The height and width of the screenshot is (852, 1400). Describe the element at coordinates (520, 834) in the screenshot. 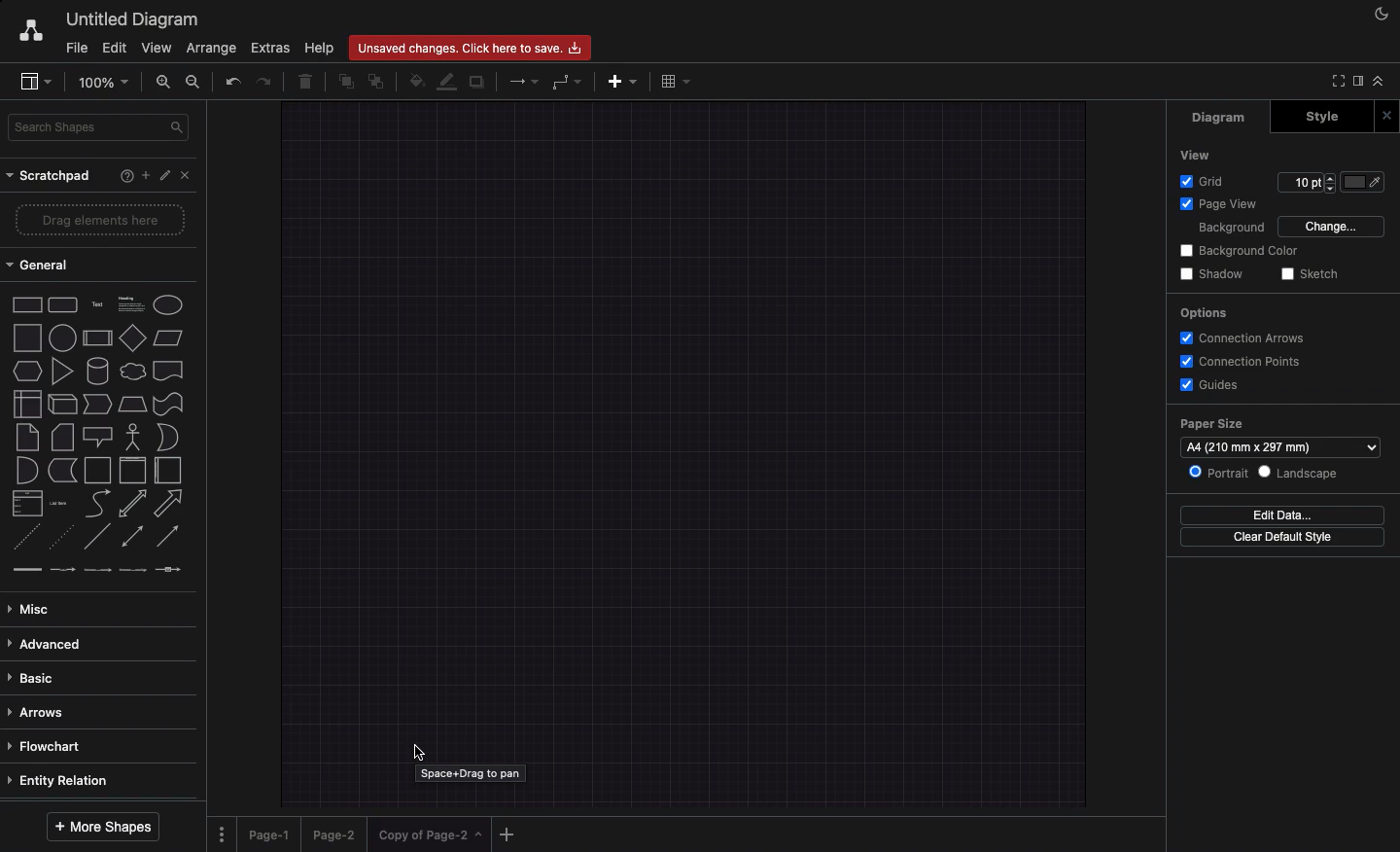

I see `Add ` at that location.